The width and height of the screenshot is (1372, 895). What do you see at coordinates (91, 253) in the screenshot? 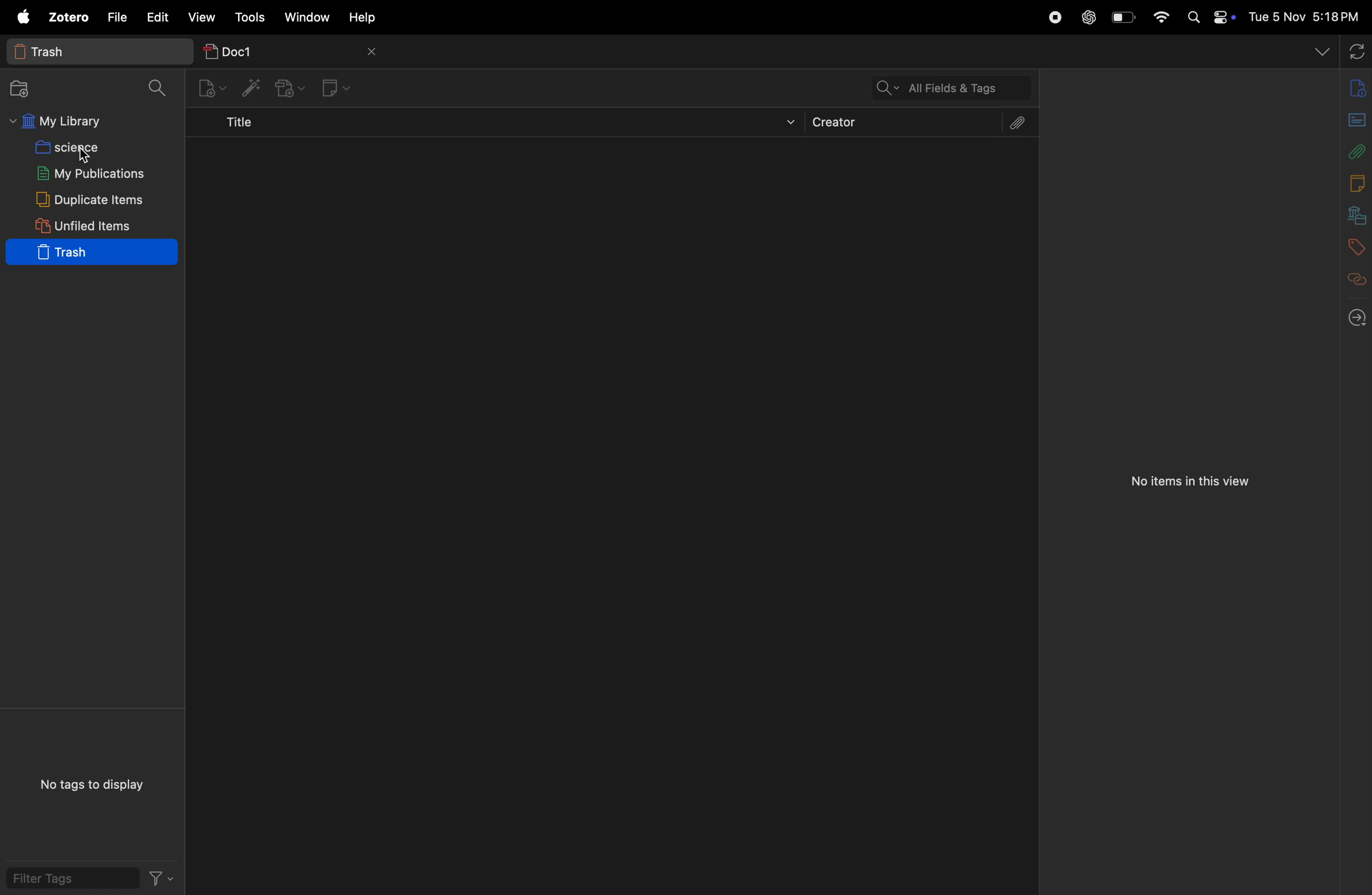
I see `trash` at bounding box center [91, 253].